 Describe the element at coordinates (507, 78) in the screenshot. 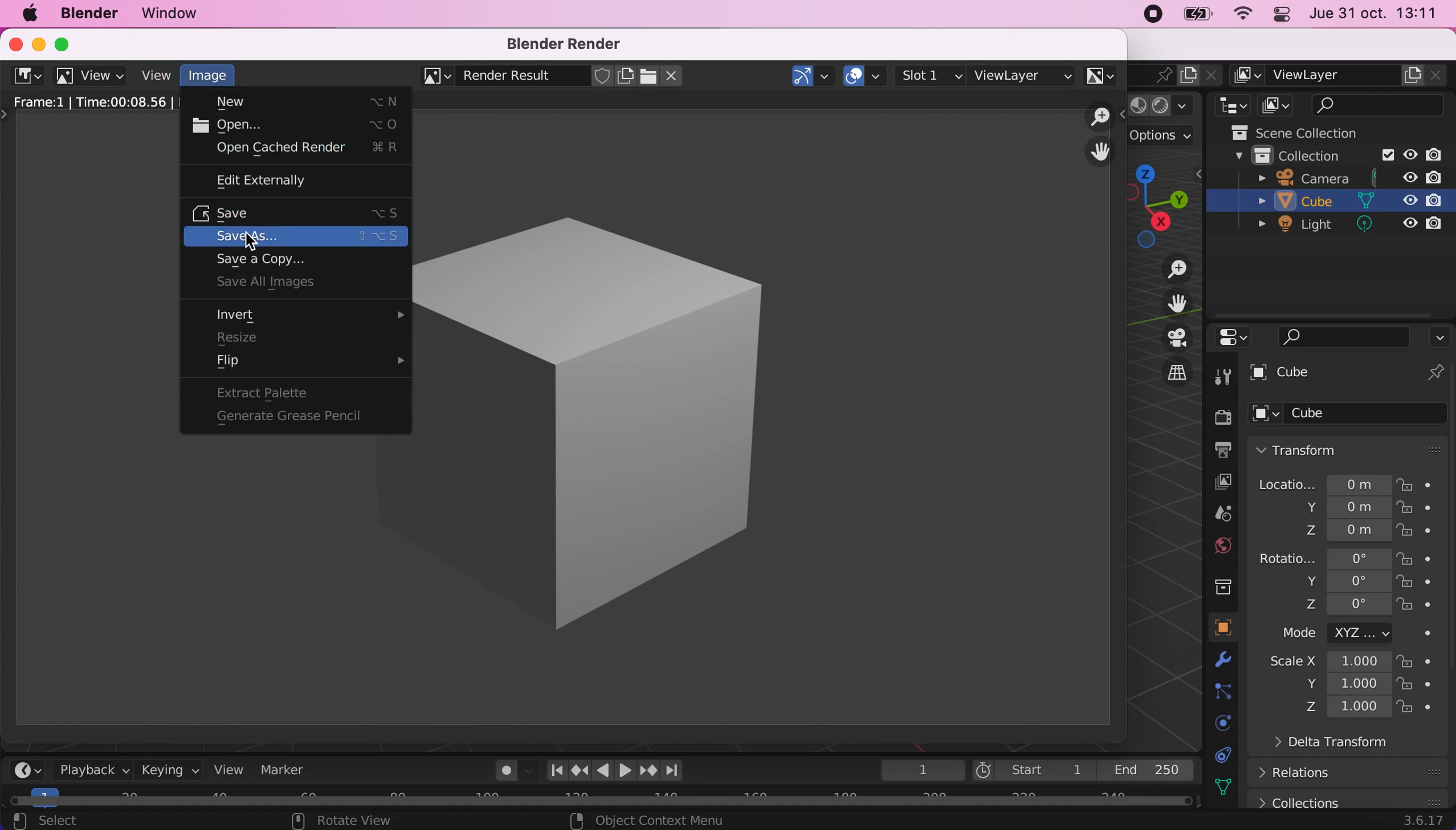

I see `render result` at that location.